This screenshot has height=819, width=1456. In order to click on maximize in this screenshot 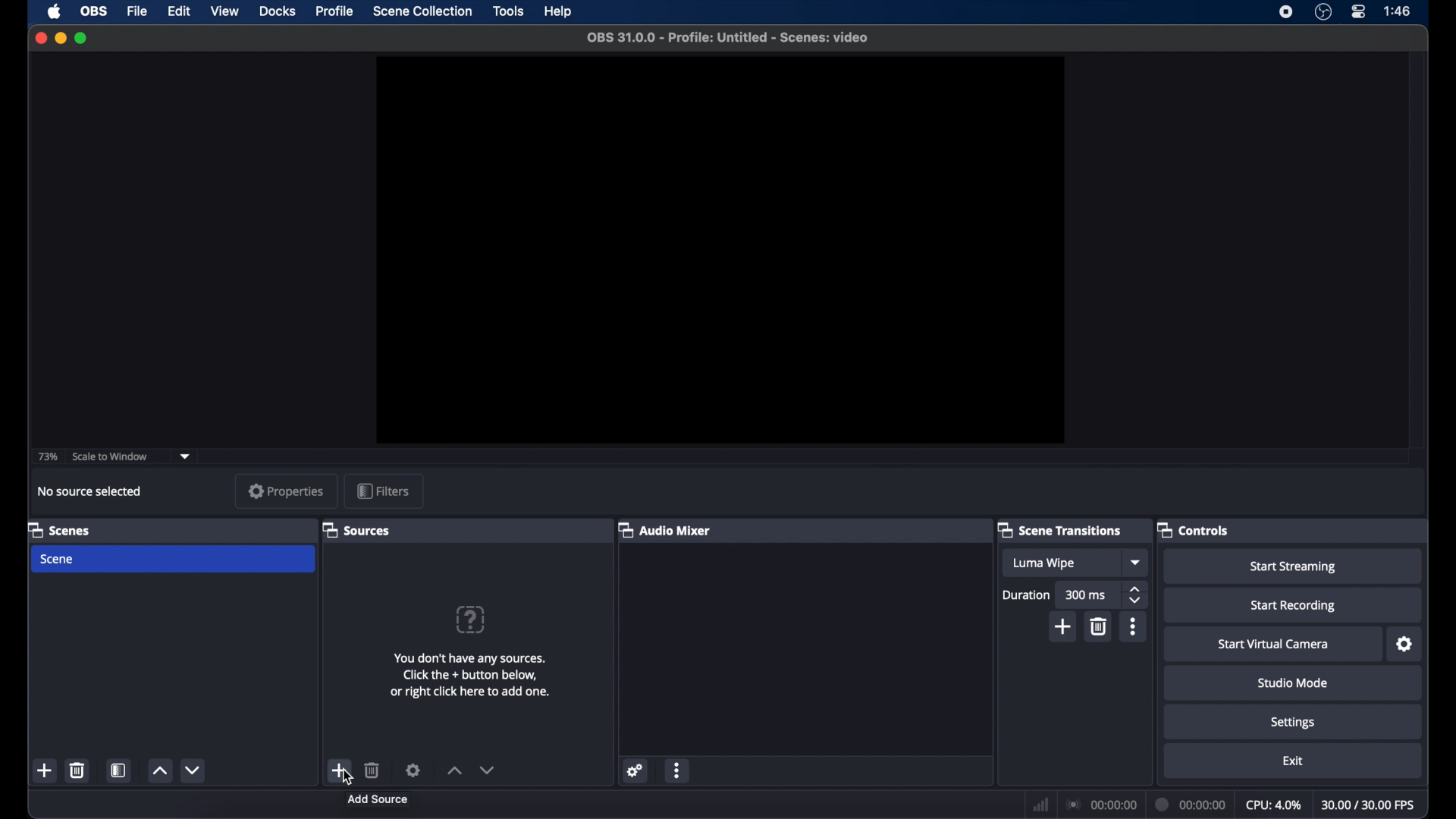, I will do `click(82, 38)`.